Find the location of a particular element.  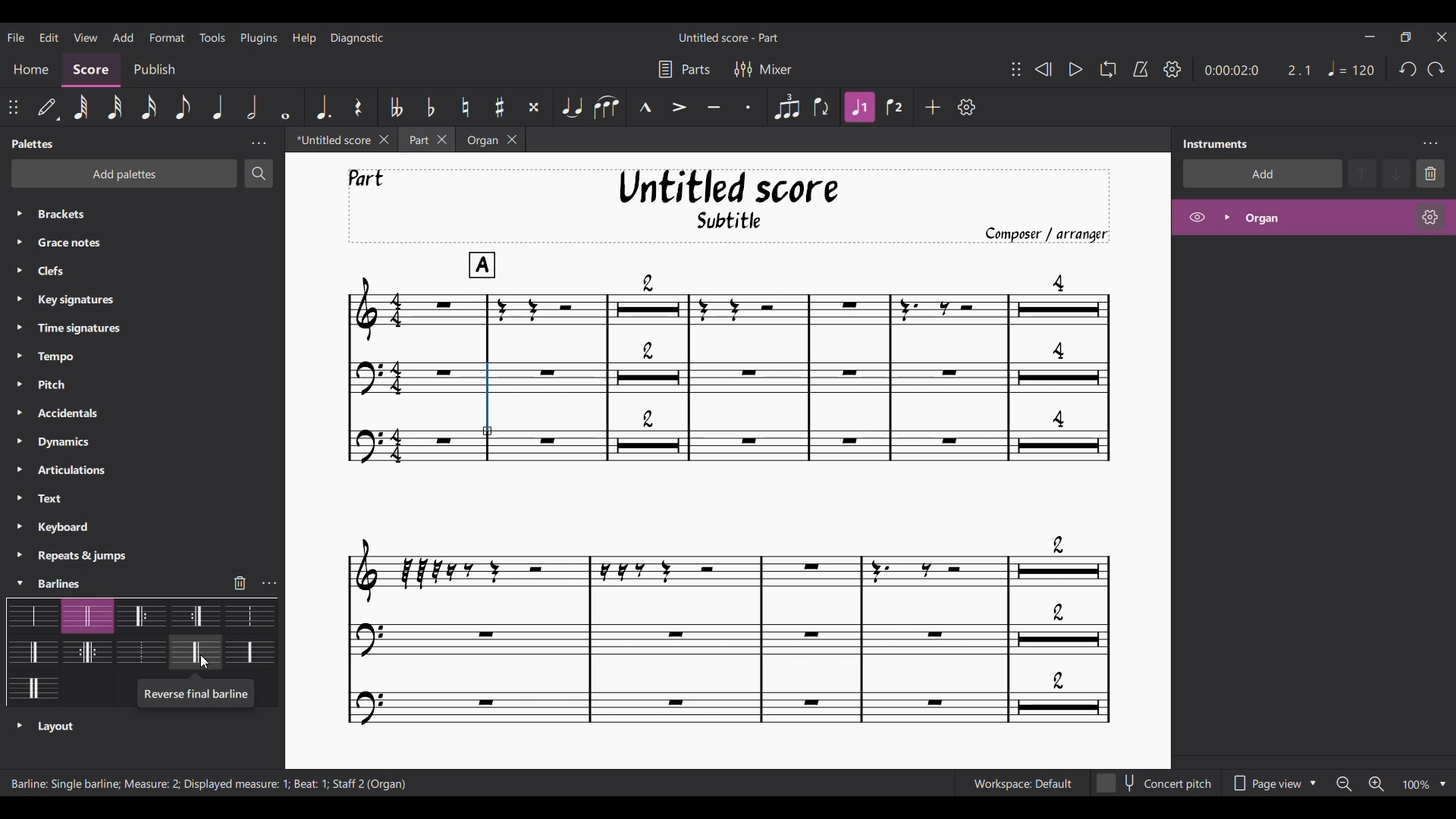

Toggle double flat is located at coordinates (397, 106).